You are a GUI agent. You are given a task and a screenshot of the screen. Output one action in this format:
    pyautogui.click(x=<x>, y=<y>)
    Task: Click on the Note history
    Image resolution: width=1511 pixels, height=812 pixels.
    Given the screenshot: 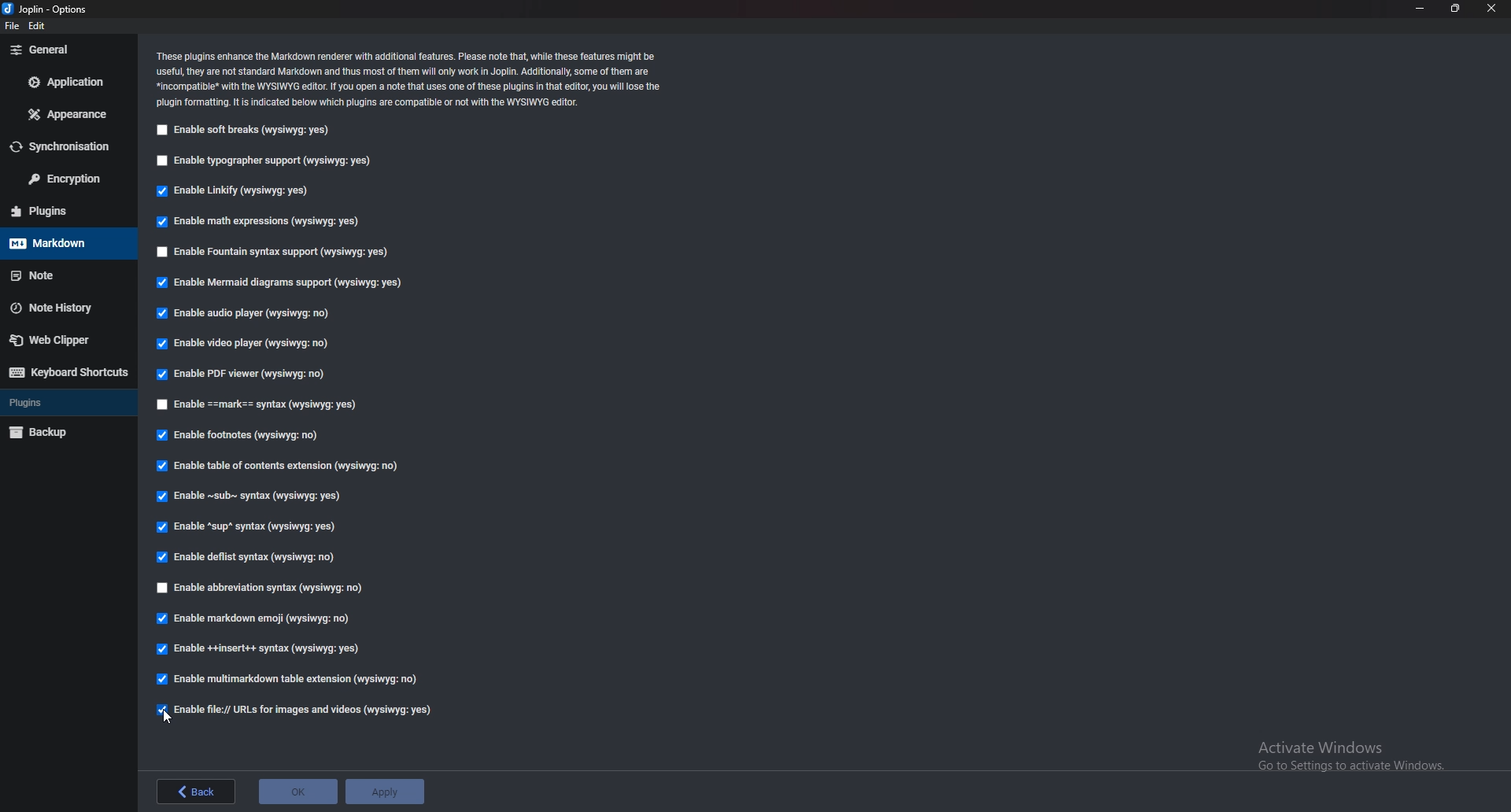 What is the action you would take?
    pyautogui.click(x=63, y=307)
    